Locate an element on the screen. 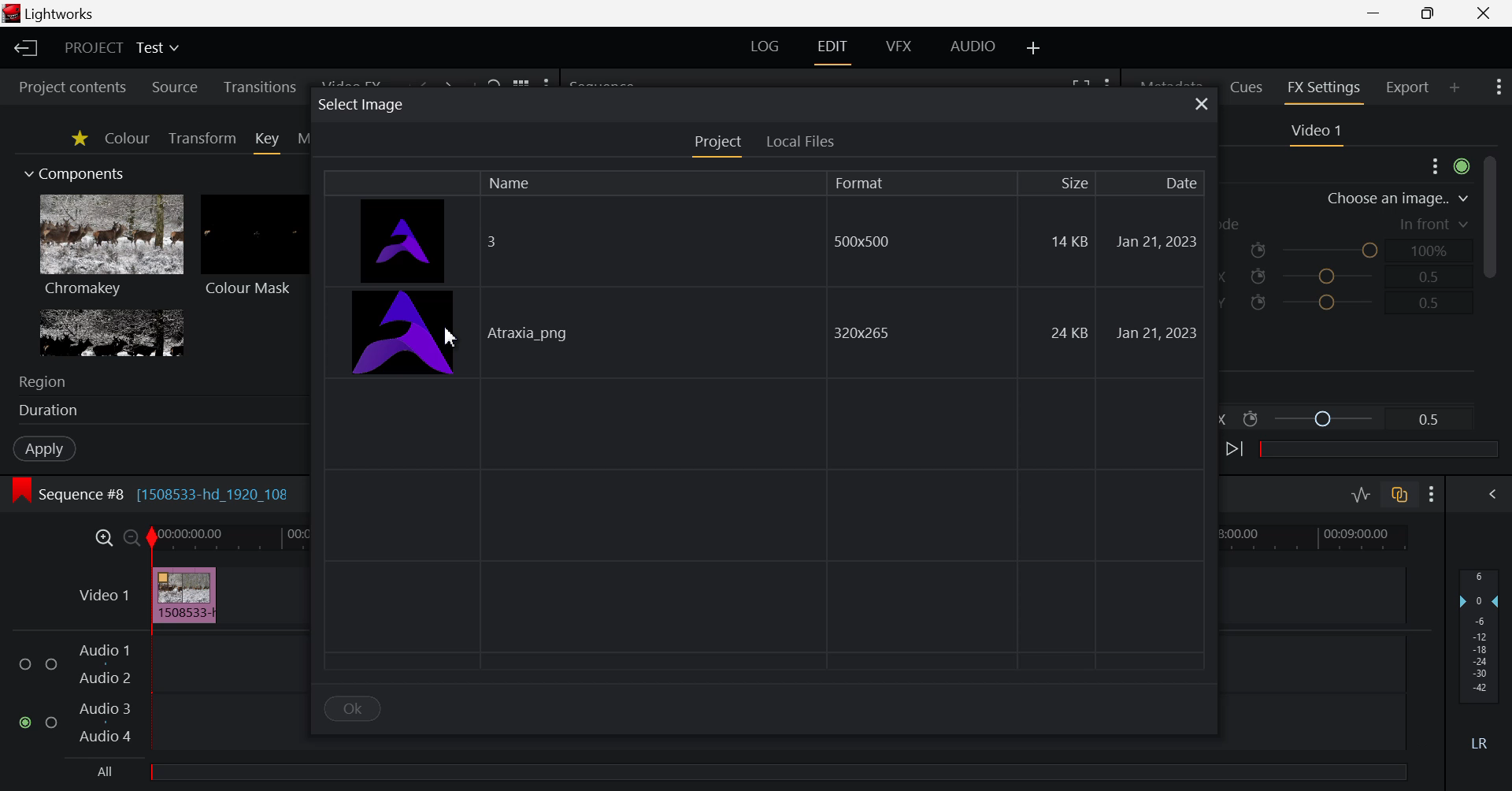  Format is located at coordinates (858, 184).